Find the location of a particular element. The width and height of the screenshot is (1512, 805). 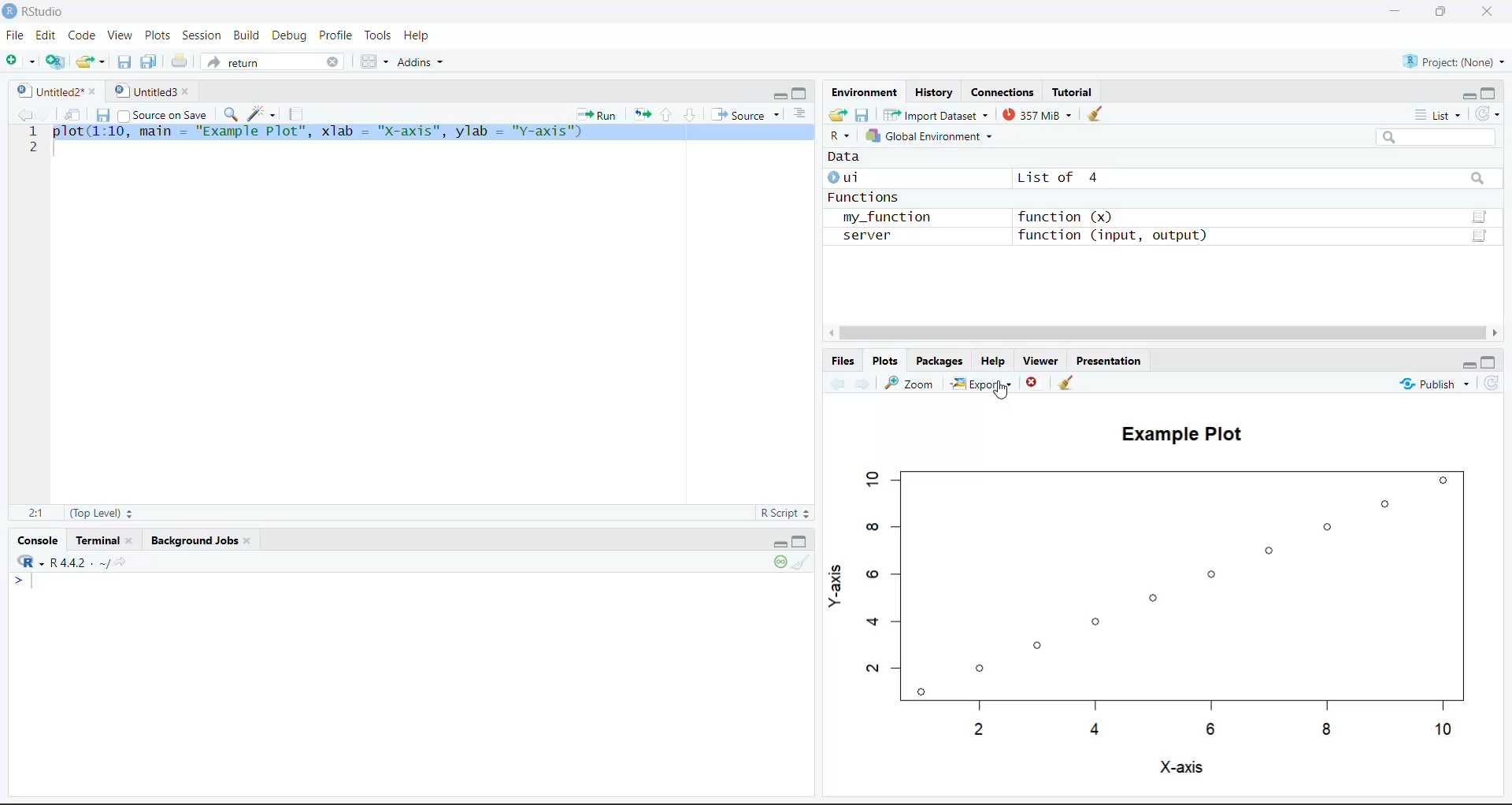

Maximize/Restore is located at coordinates (802, 540).